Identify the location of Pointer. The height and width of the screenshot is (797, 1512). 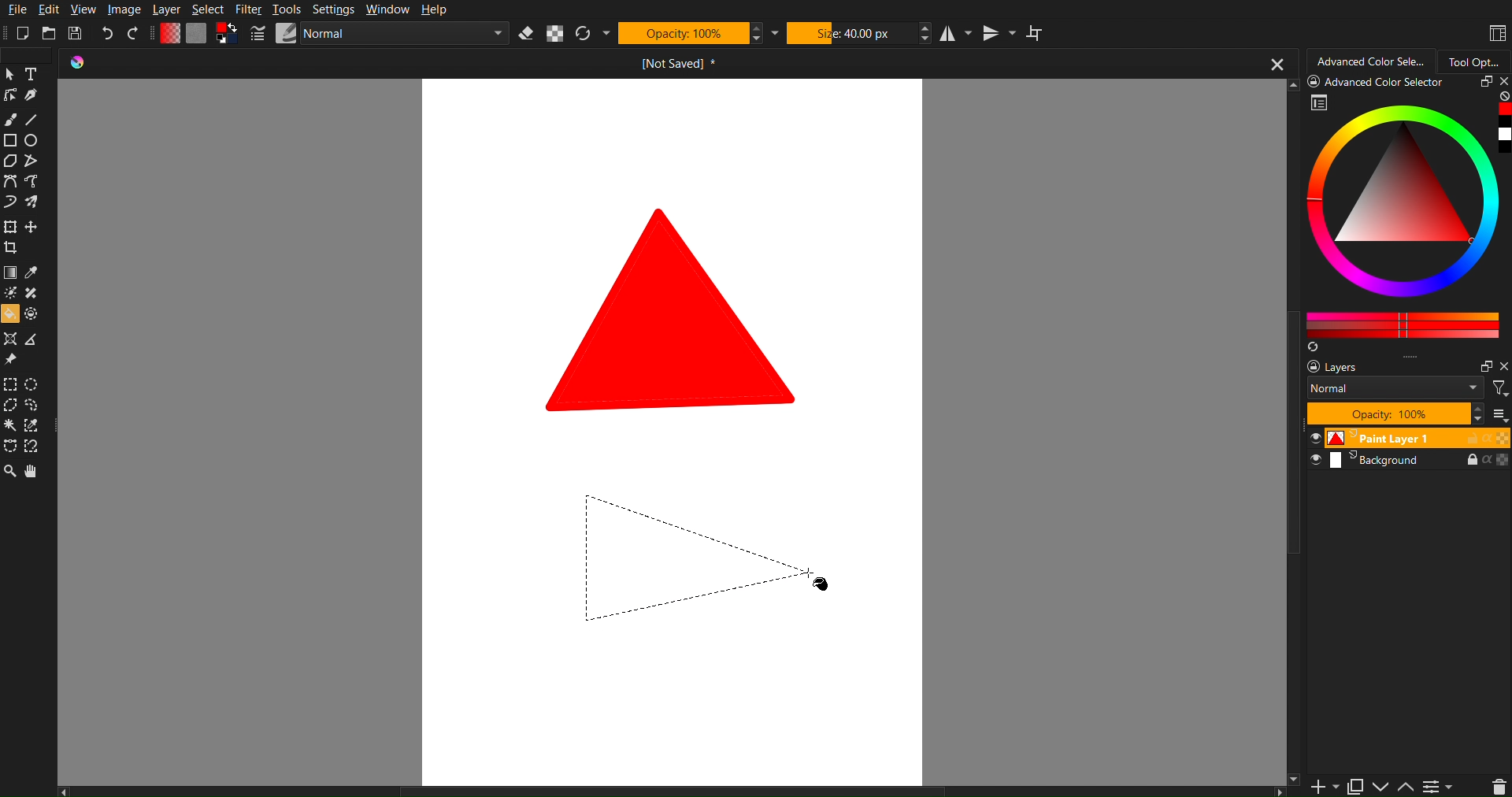
(9, 73).